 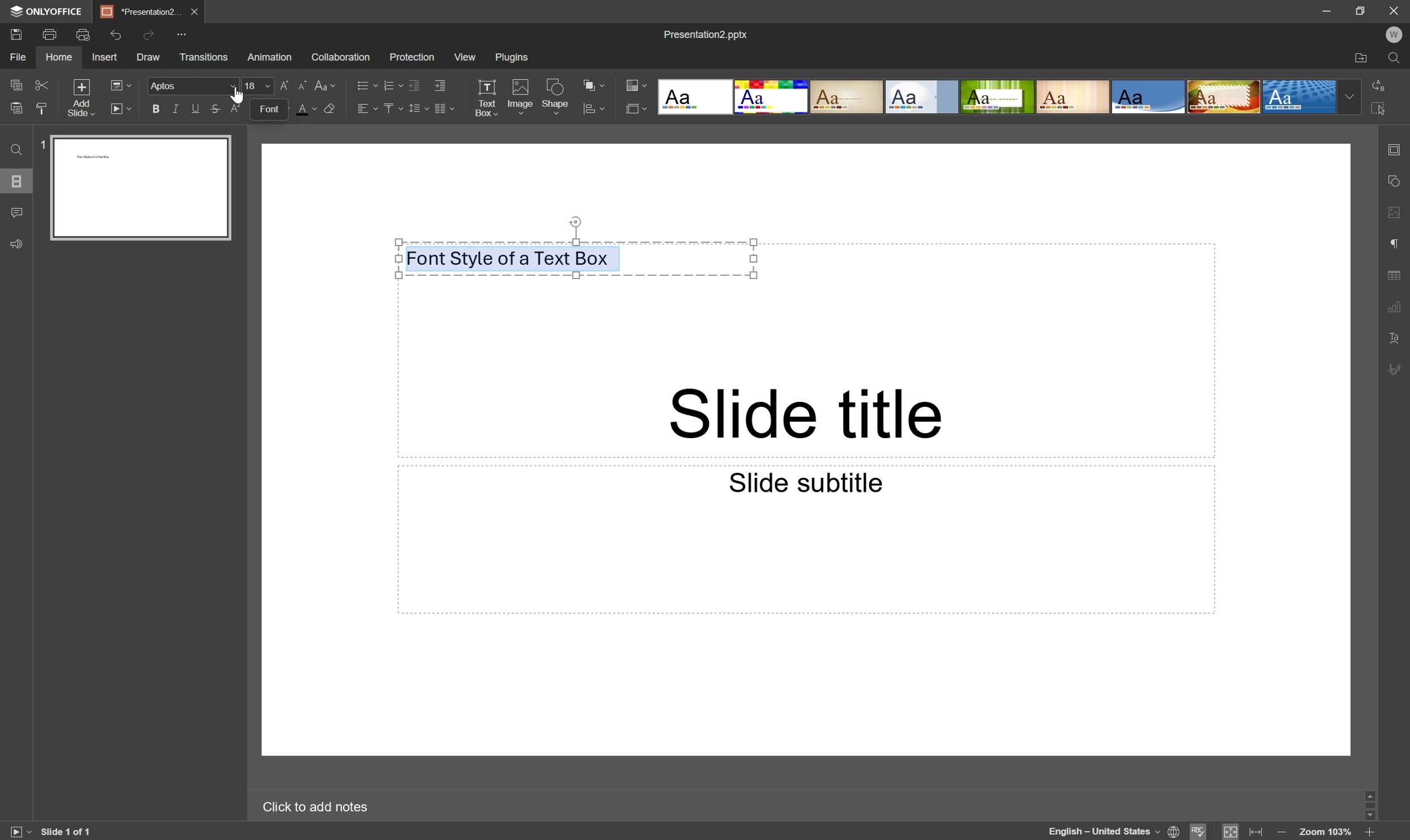 What do you see at coordinates (81, 36) in the screenshot?
I see `Quick print` at bounding box center [81, 36].